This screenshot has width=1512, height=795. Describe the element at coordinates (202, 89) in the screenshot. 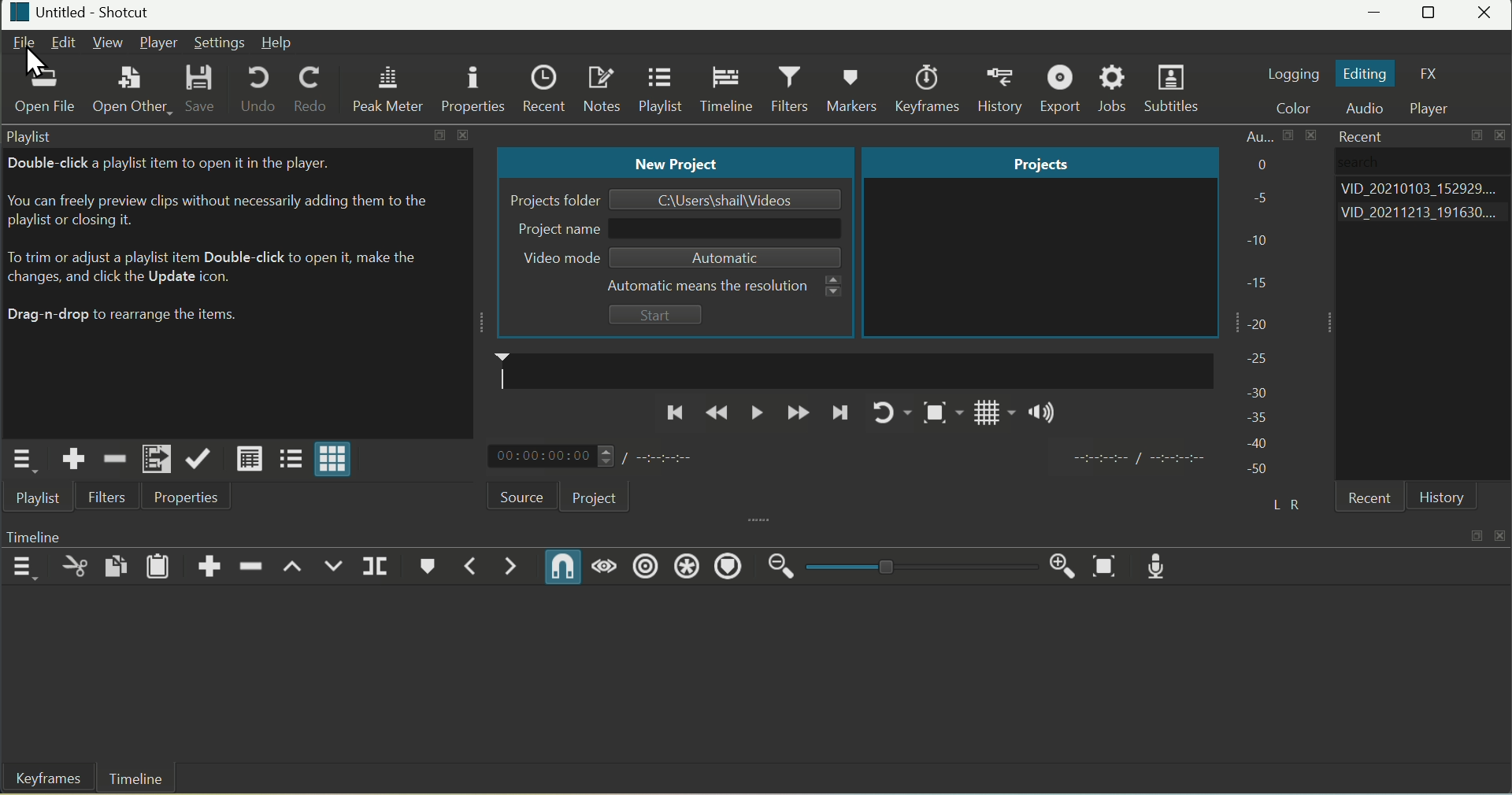

I see `Save` at that location.